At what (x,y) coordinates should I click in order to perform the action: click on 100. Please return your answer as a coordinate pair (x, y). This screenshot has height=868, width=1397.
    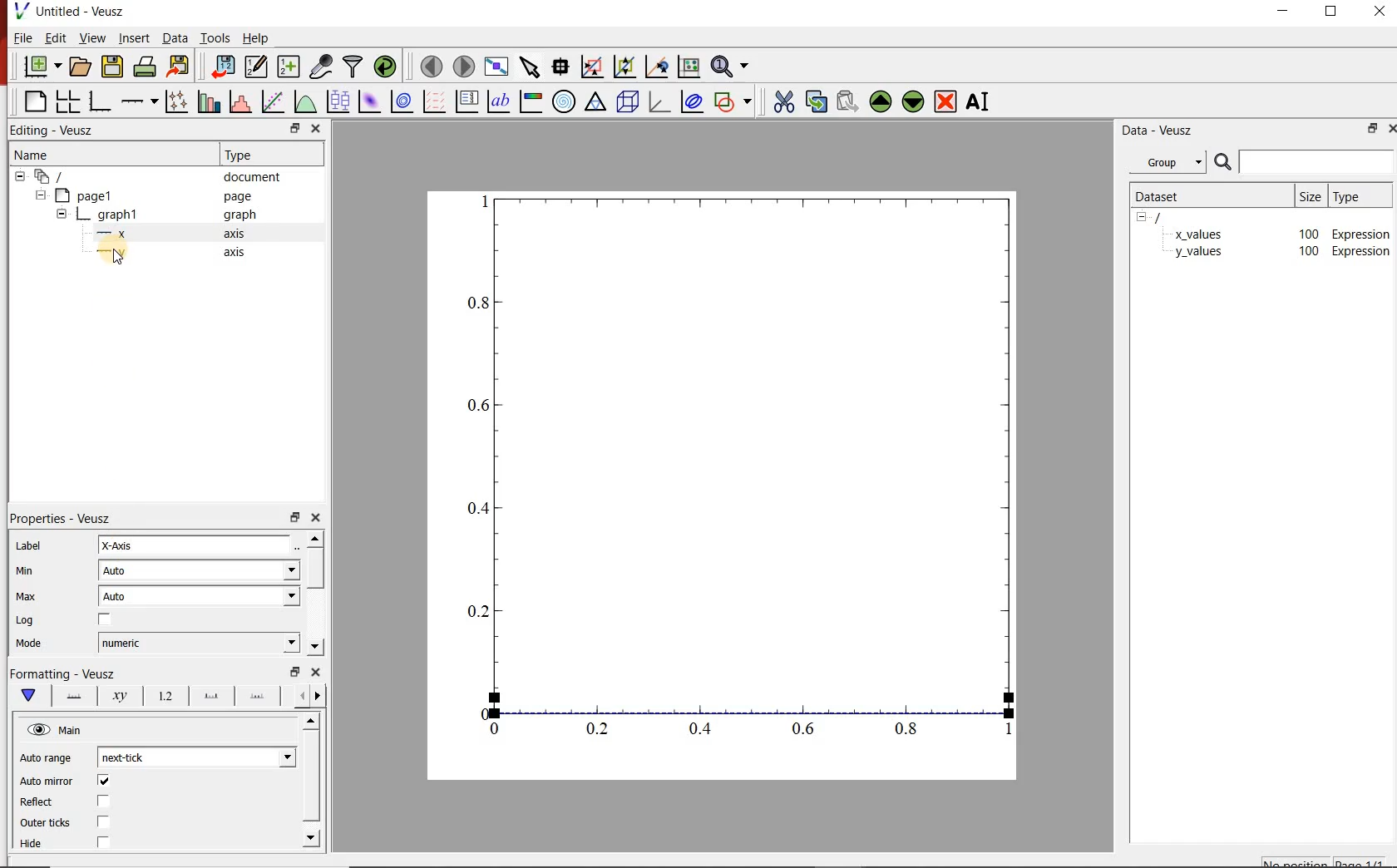
    Looking at the image, I should click on (1308, 233).